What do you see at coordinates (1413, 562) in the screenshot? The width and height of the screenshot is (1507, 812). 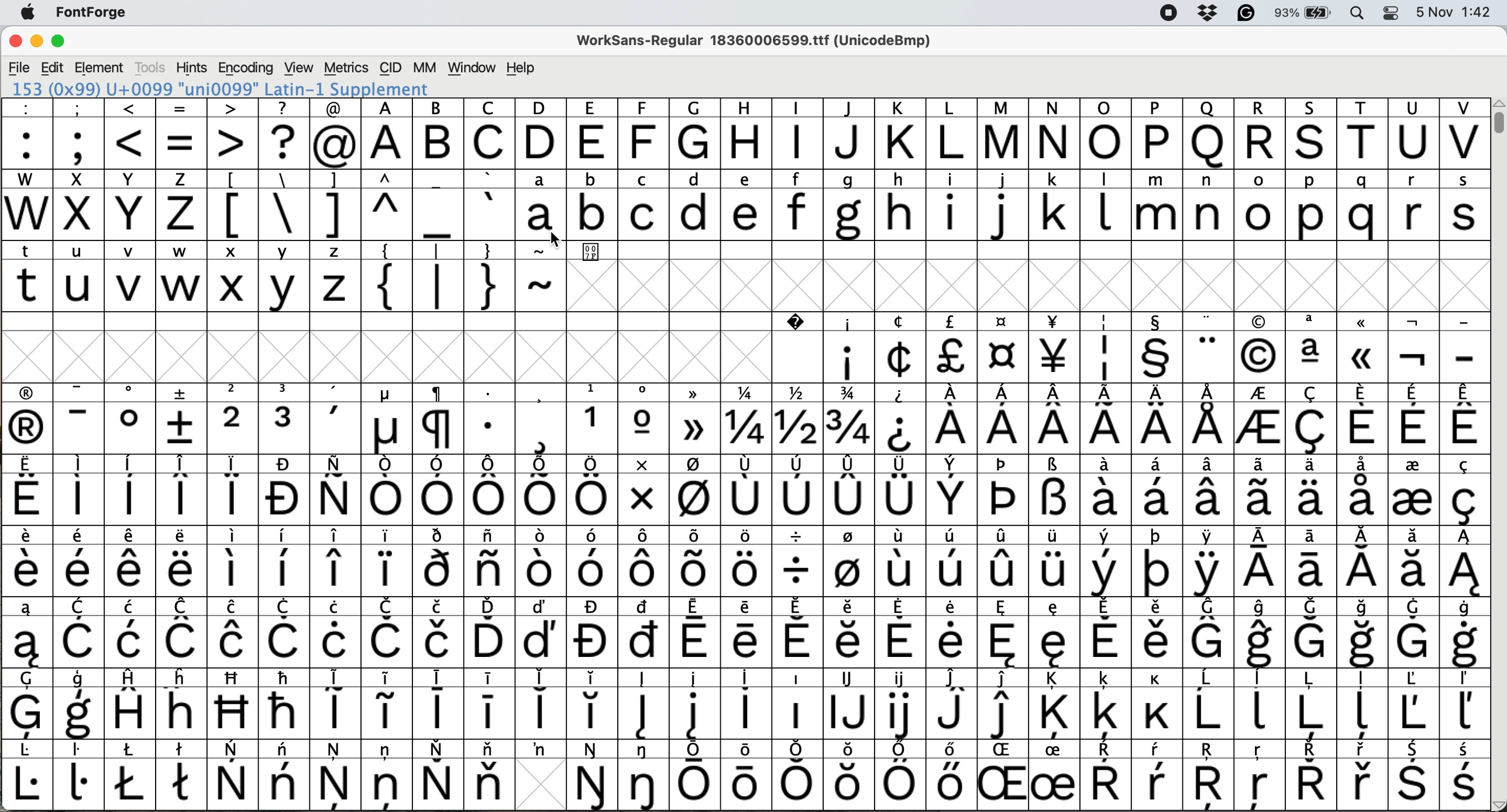 I see `symbol` at bounding box center [1413, 562].